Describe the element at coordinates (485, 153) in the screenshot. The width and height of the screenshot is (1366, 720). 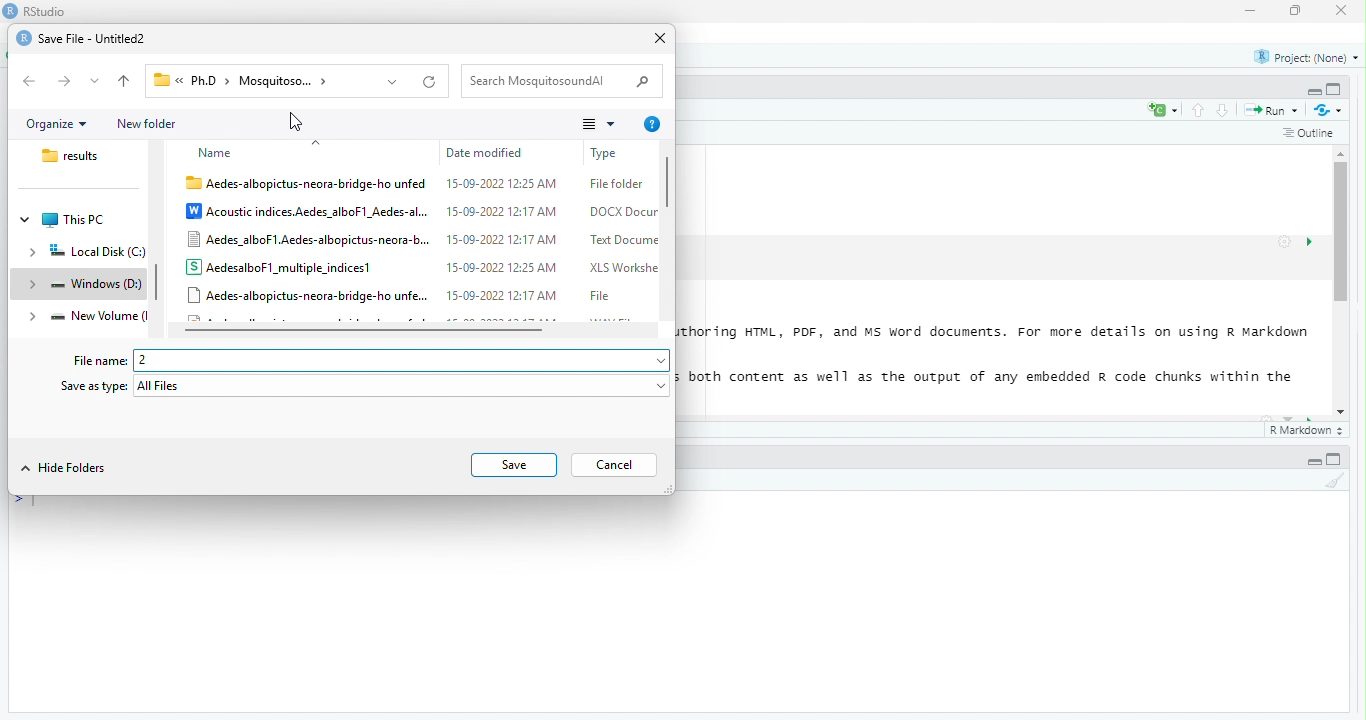
I see `Date modified` at that location.